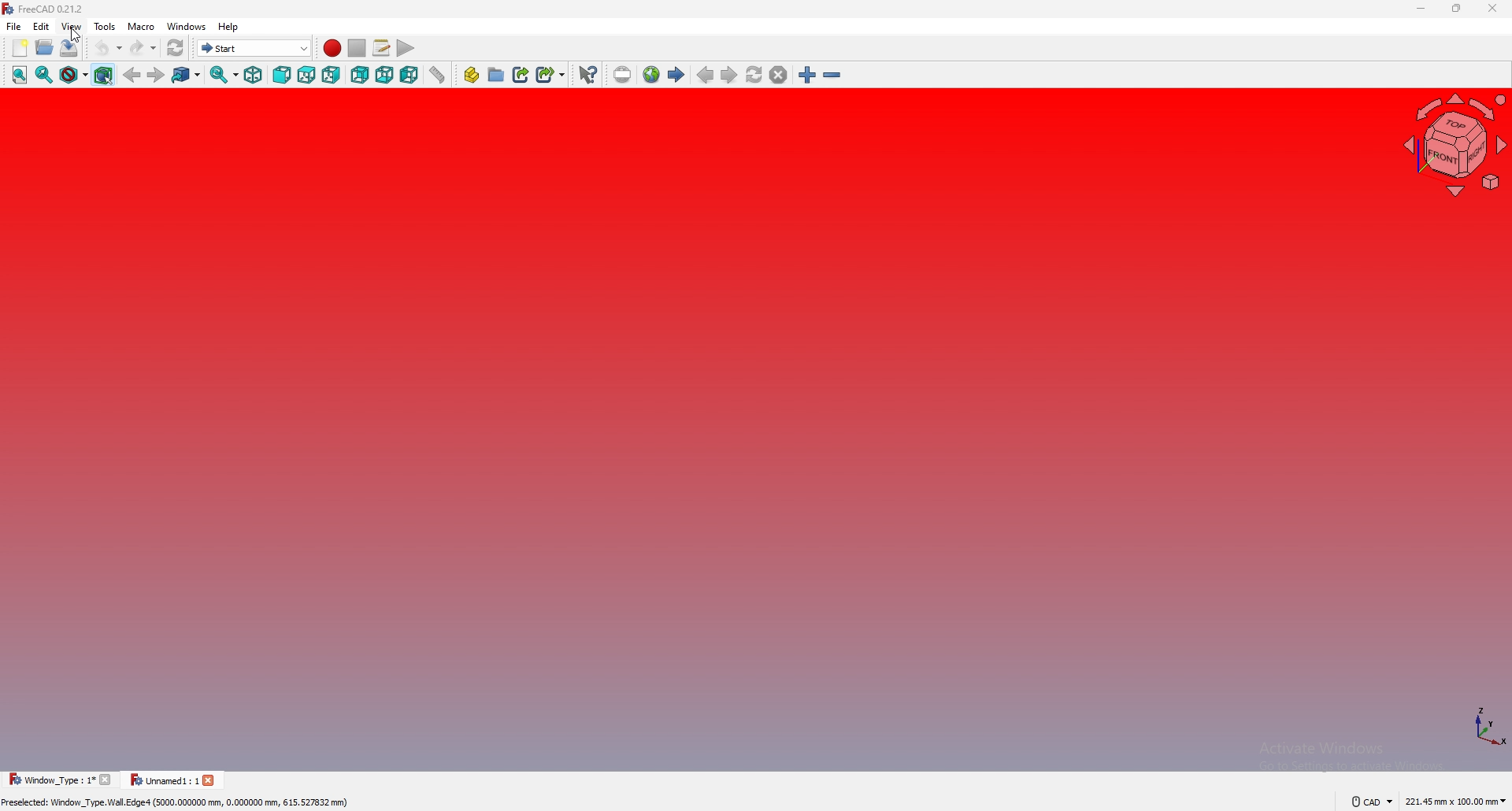  Describe the element at coordinates (622, 74) in the screenshot. I see `insert url` at that location.